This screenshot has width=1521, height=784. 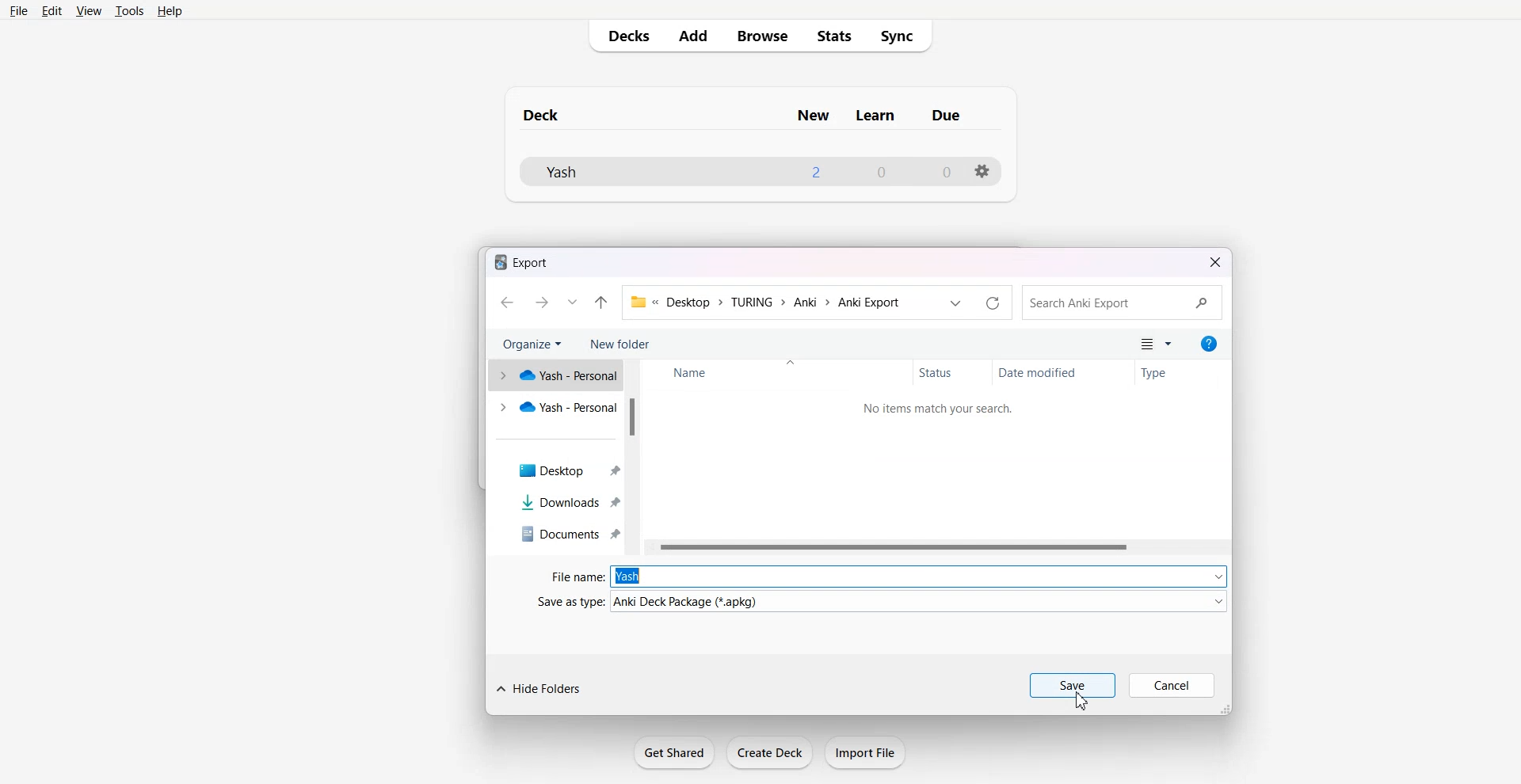 What do you see at coordinates (693, 36) in the screenshot?
I see `Add` at bounding box center [693, 36].